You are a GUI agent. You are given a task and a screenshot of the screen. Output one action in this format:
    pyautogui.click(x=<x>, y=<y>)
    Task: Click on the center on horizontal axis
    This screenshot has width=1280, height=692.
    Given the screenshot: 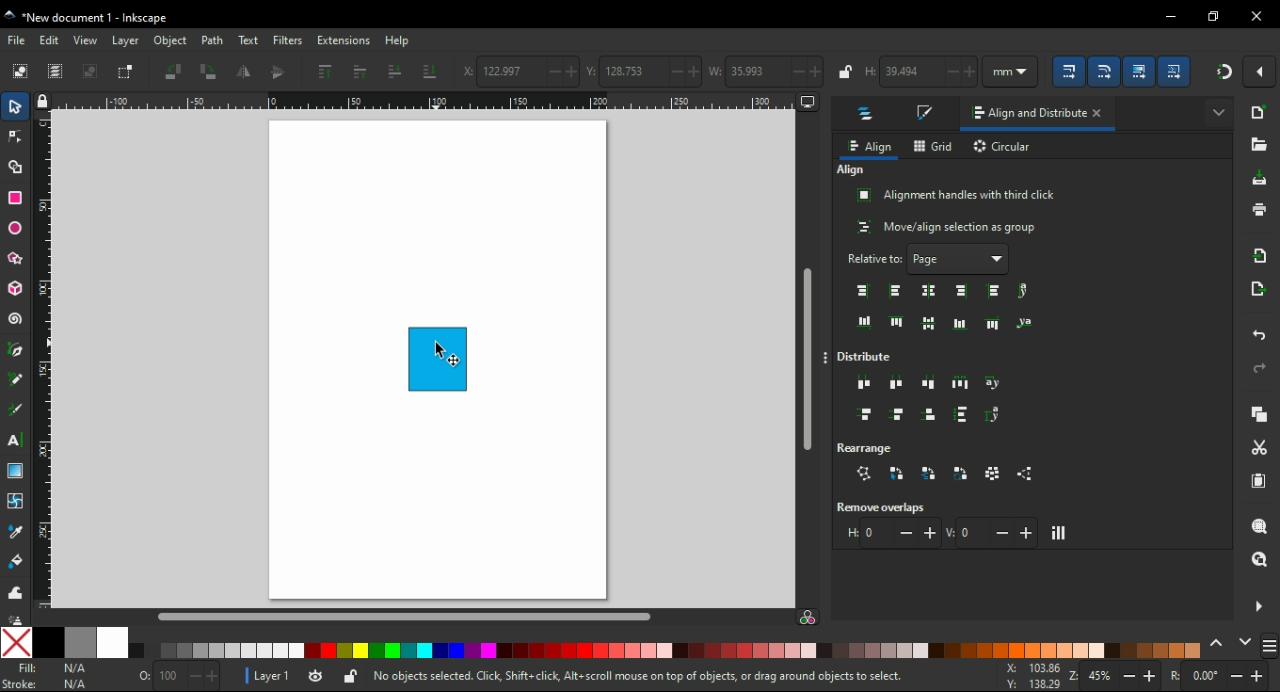 What is the action you would take?
    pyautogui.click(x=931, y=324)
    